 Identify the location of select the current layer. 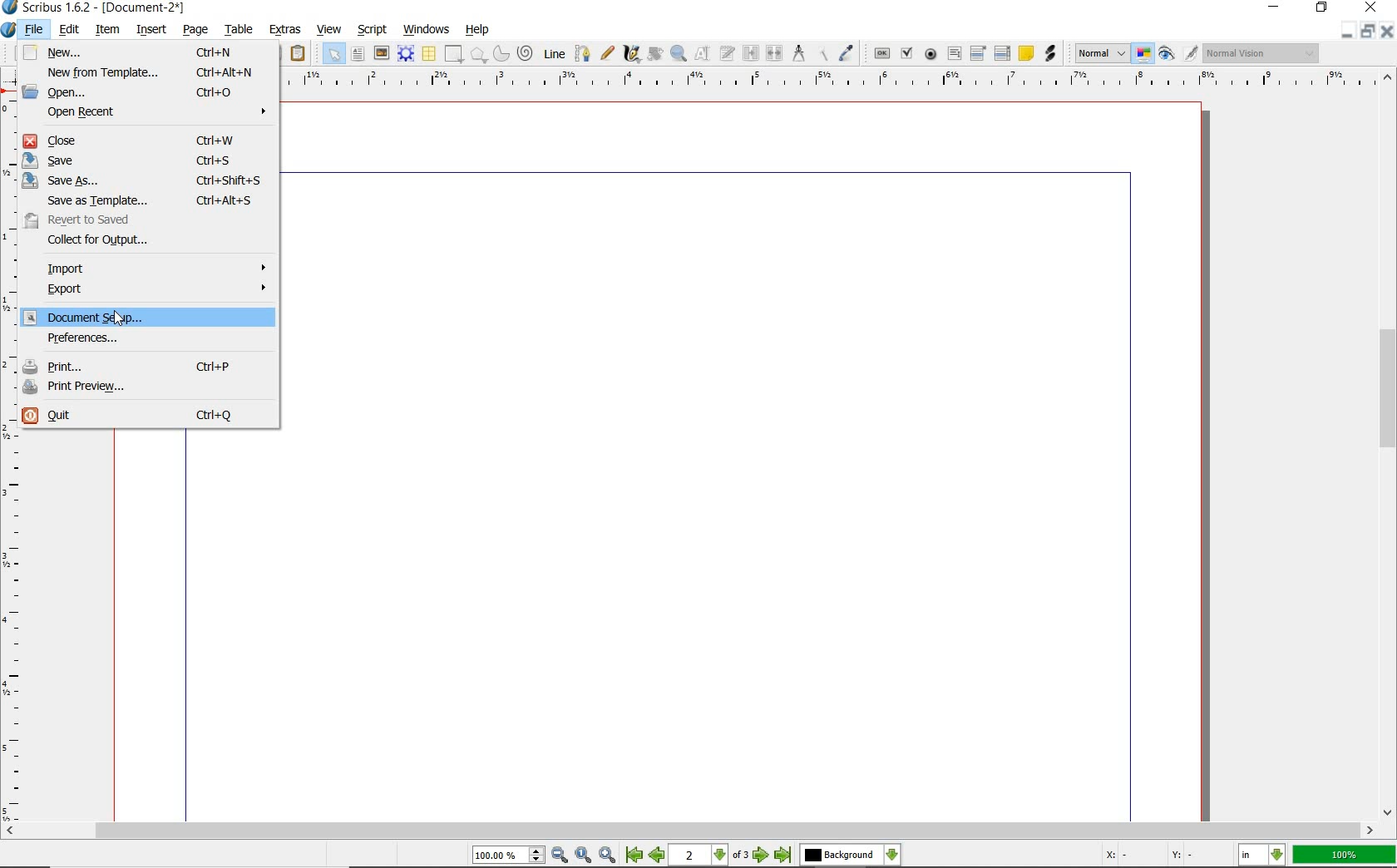
(850, 856).